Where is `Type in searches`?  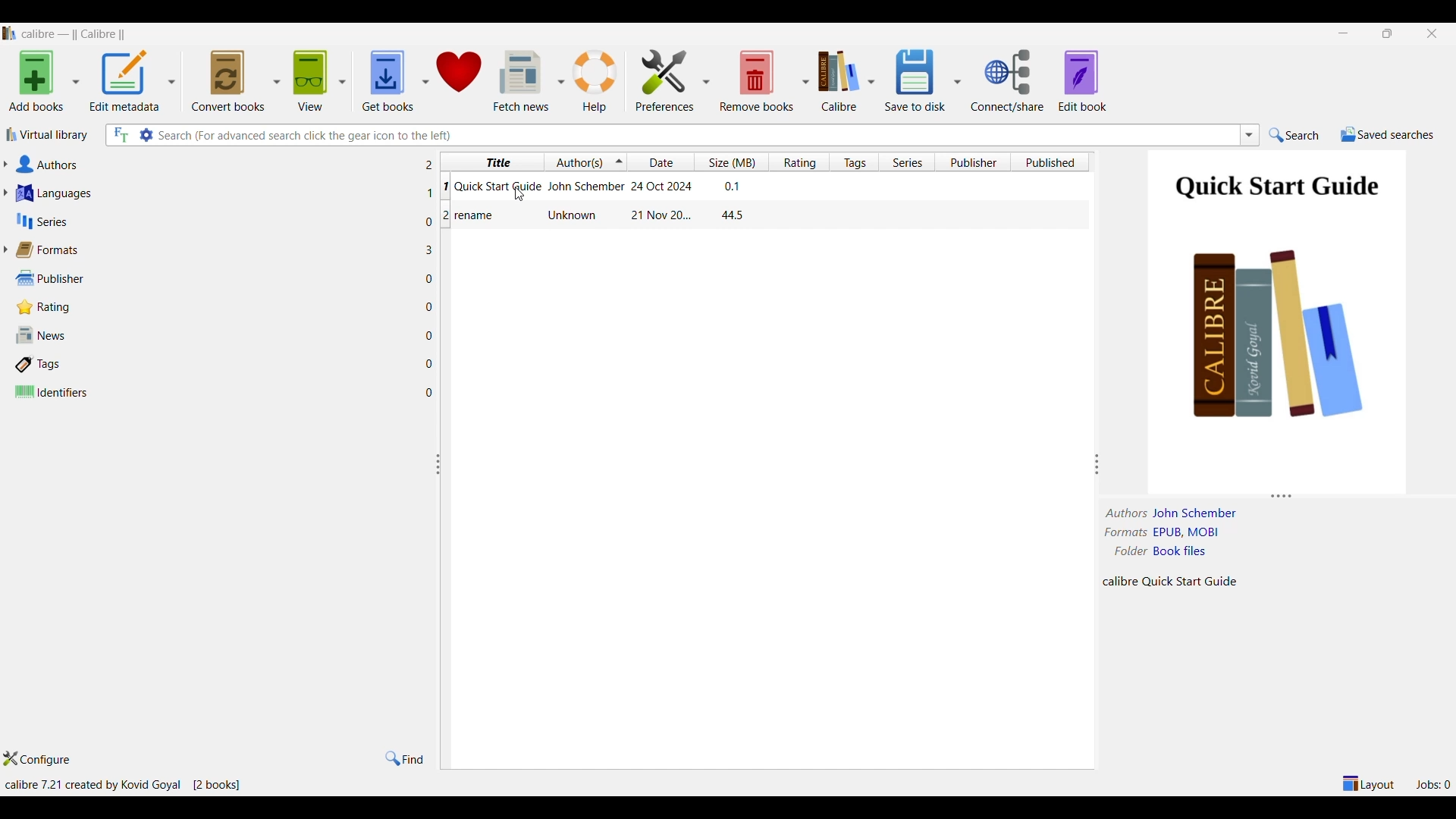
Type in searches is located at coordinates (696, 136).